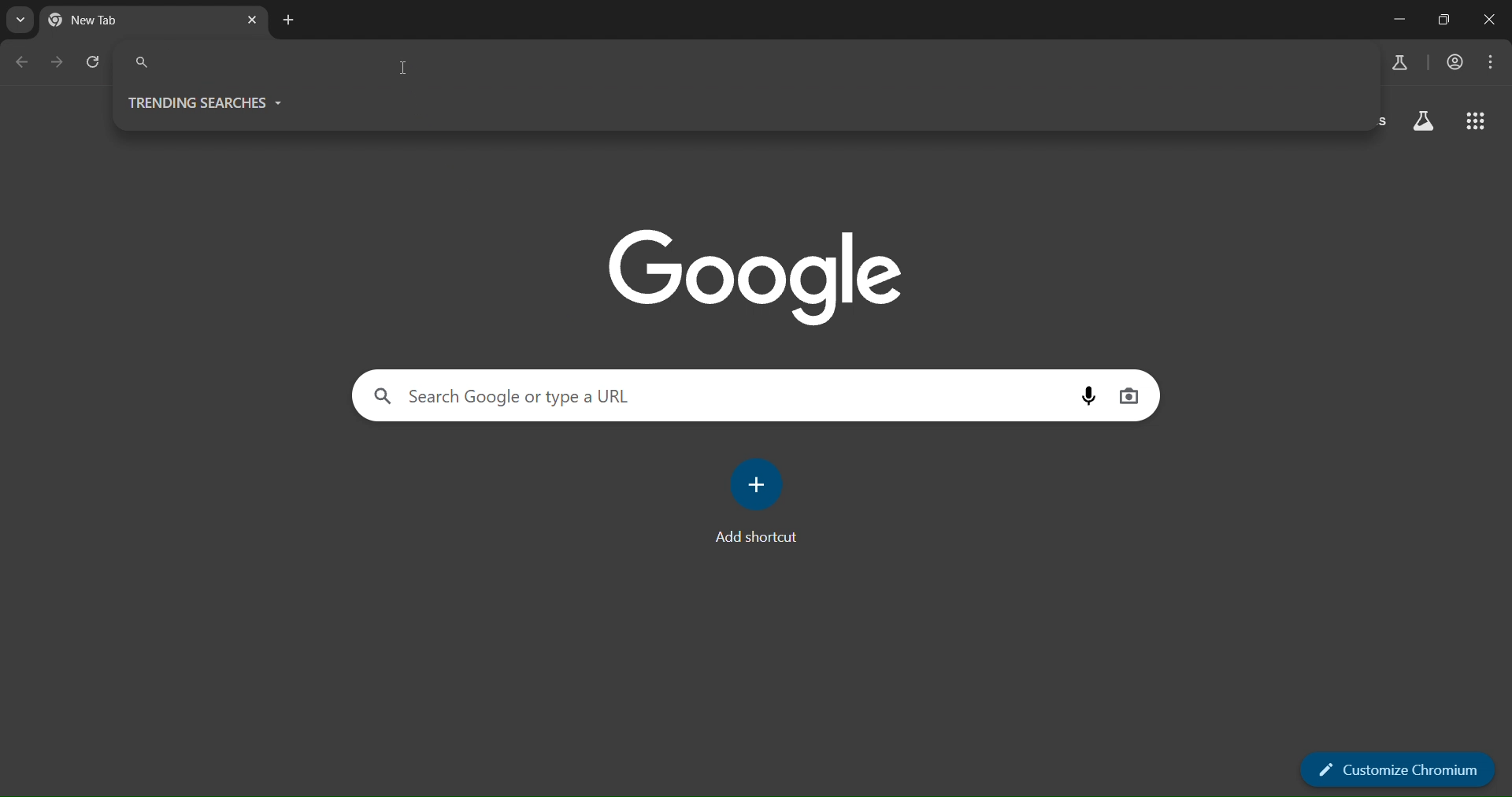 The height and width of the screenshot is (797, 1512). Describe the element at coordinates (91, 62) in the screenshot. I see `reload page` at that location.